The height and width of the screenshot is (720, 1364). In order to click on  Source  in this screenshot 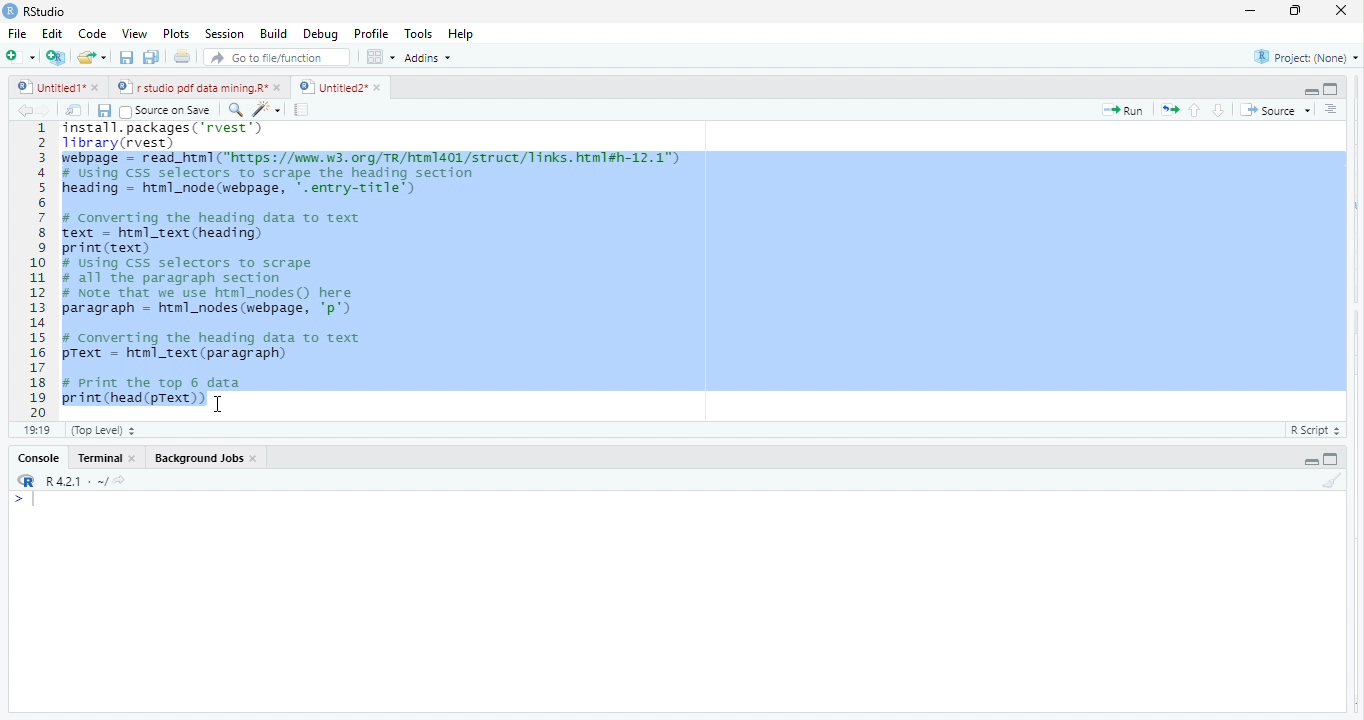, I will do `click(1276, 112)`.